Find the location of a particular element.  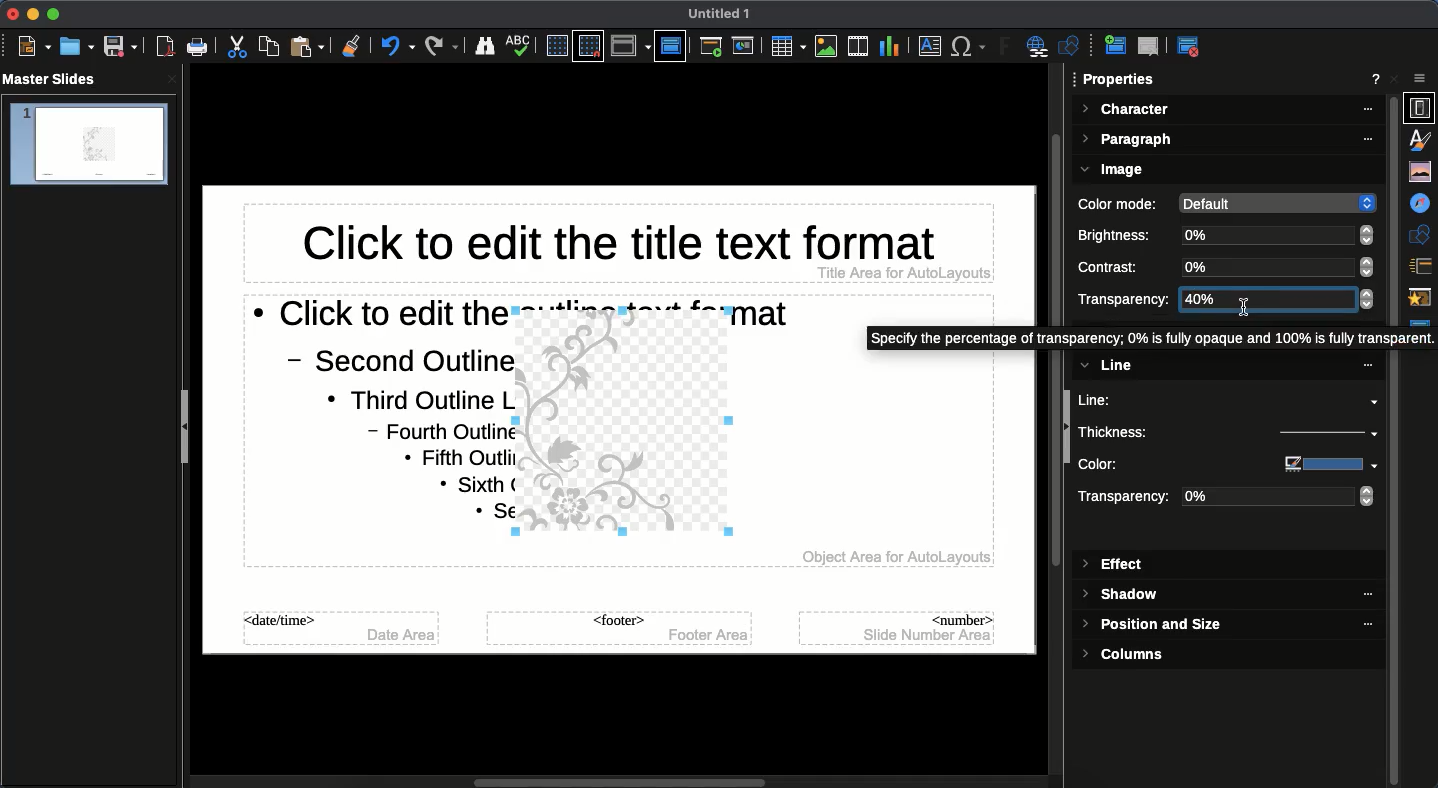

Master slides is located at coordinates (56, 80).